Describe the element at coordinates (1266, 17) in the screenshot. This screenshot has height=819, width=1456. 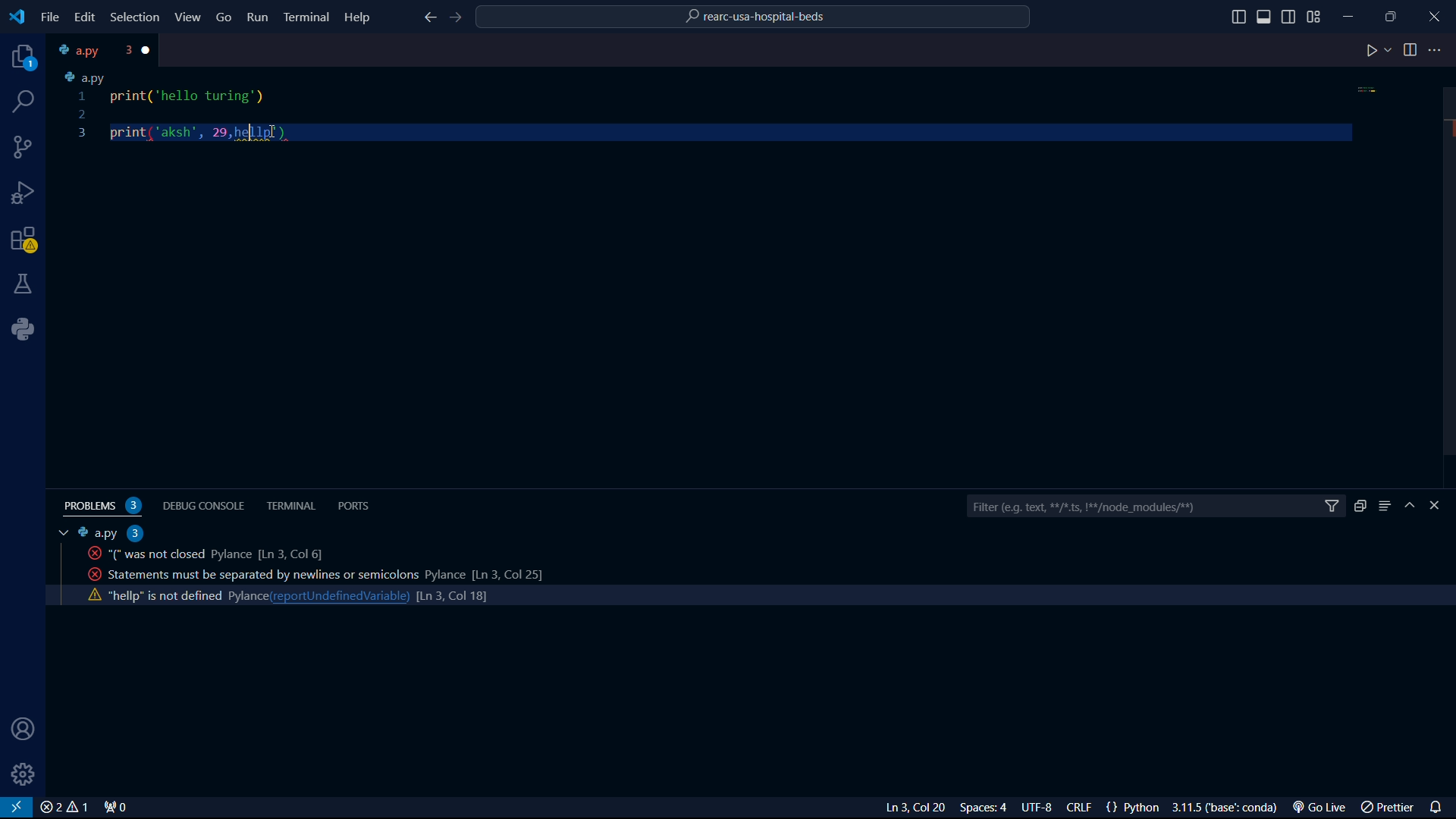
I see `toggle sidebar` at that location.